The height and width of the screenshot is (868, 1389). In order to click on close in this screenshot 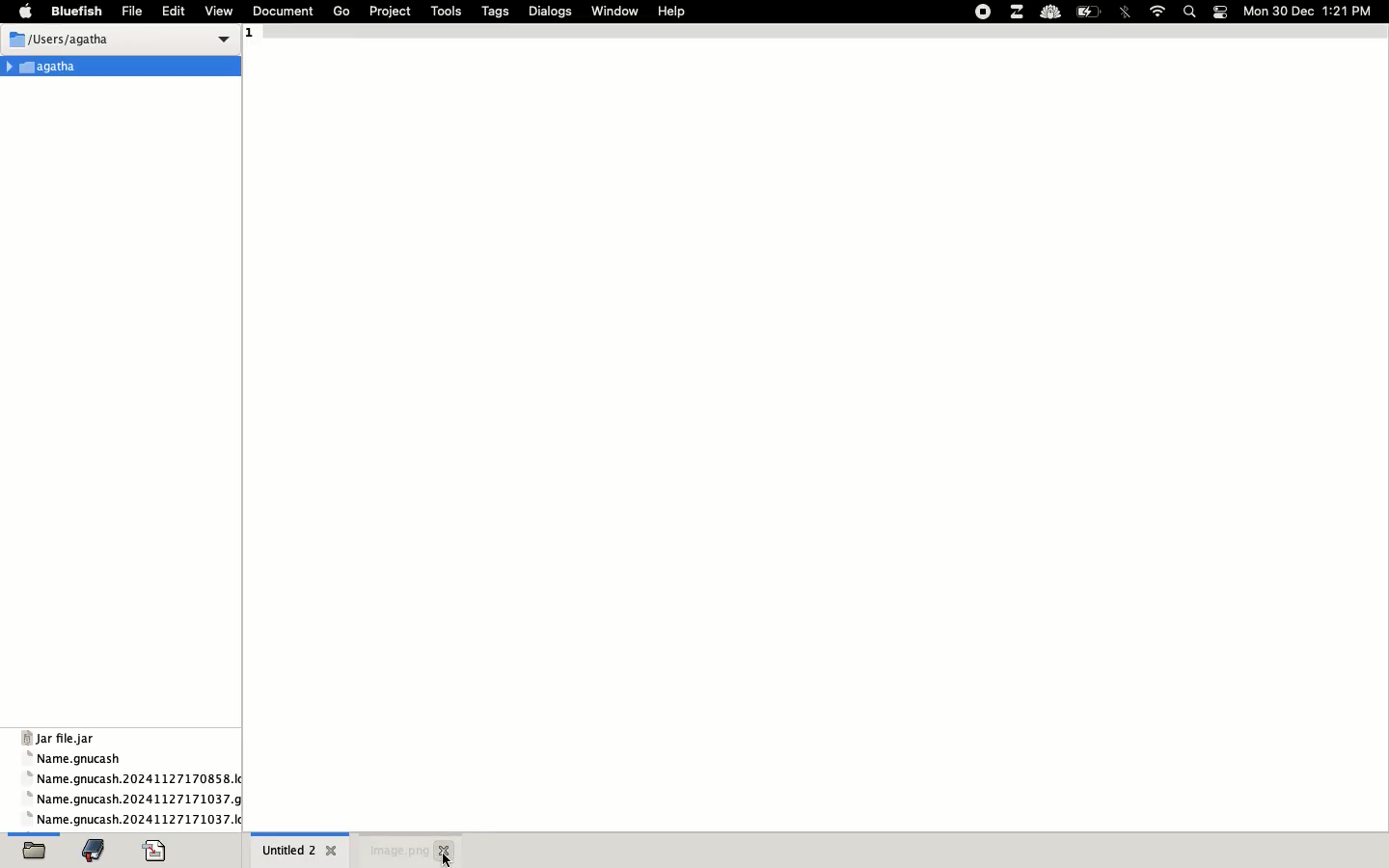, I will do `click(333, 851)`.